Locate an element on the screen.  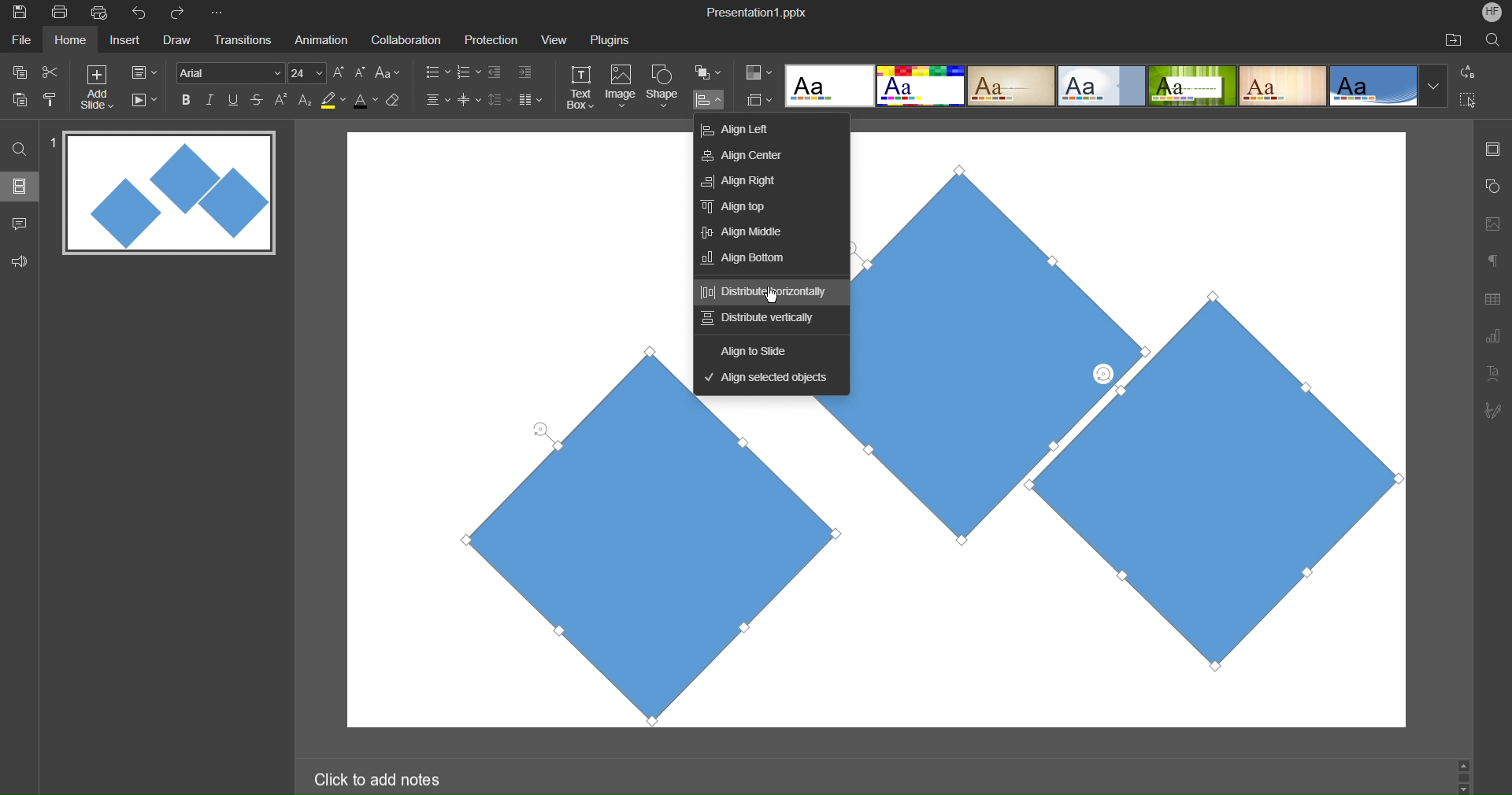
Account is located at coordinates (1492, 12).